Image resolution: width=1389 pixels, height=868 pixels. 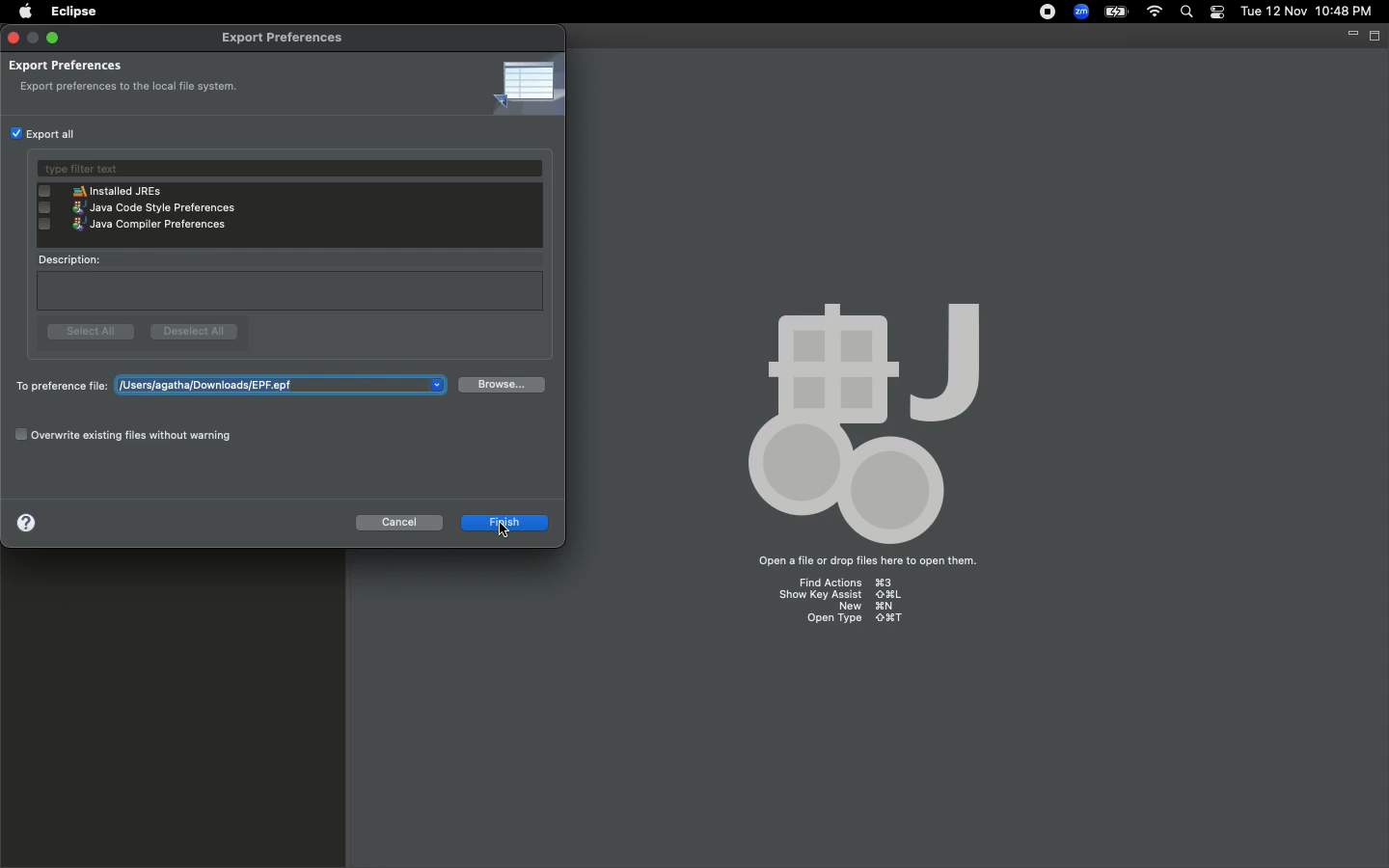 I want to click on To preference file:, so click(x=64, y=389).